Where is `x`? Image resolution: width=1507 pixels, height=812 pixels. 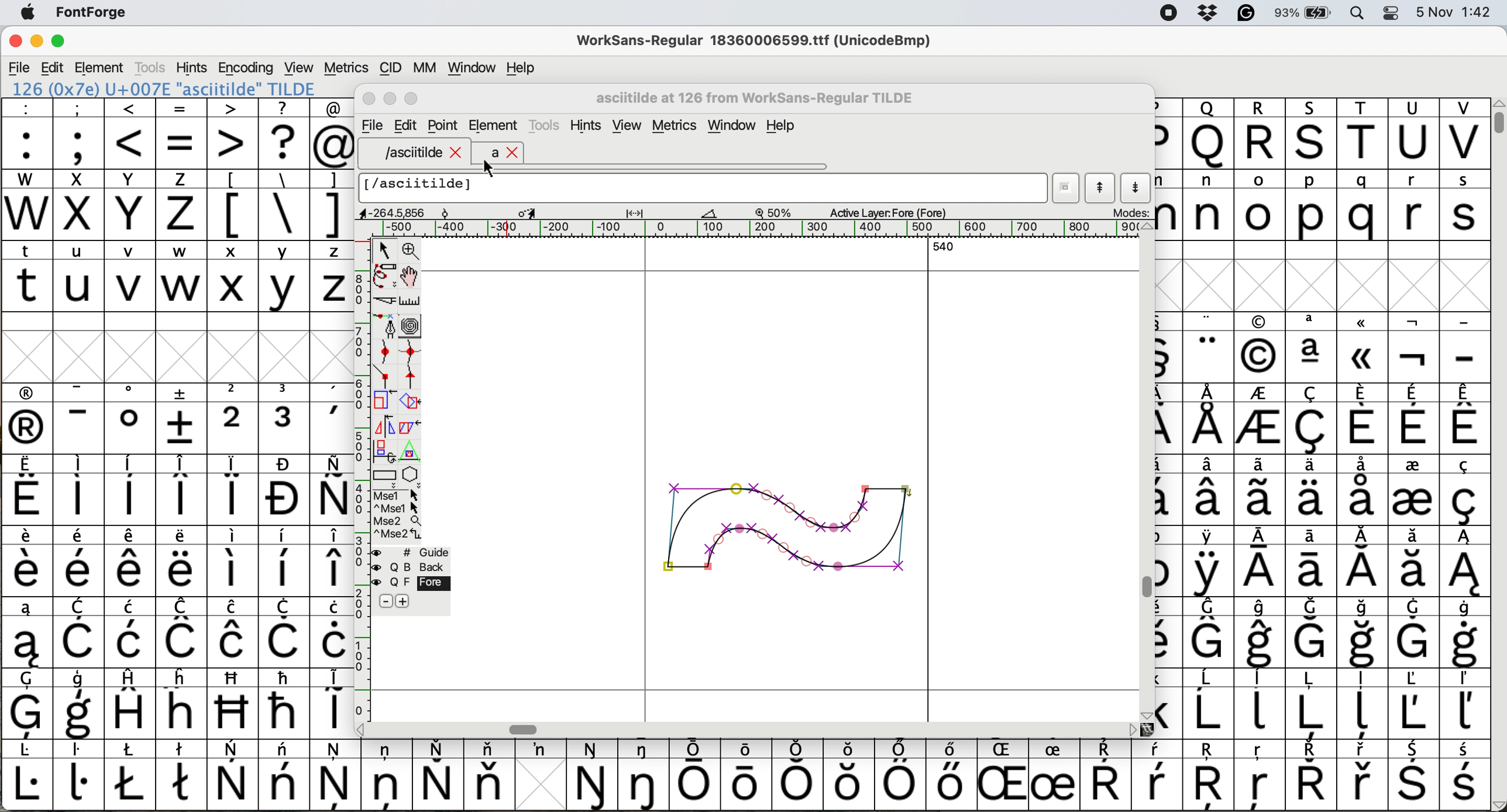
x is located at coordinates (232, 276).